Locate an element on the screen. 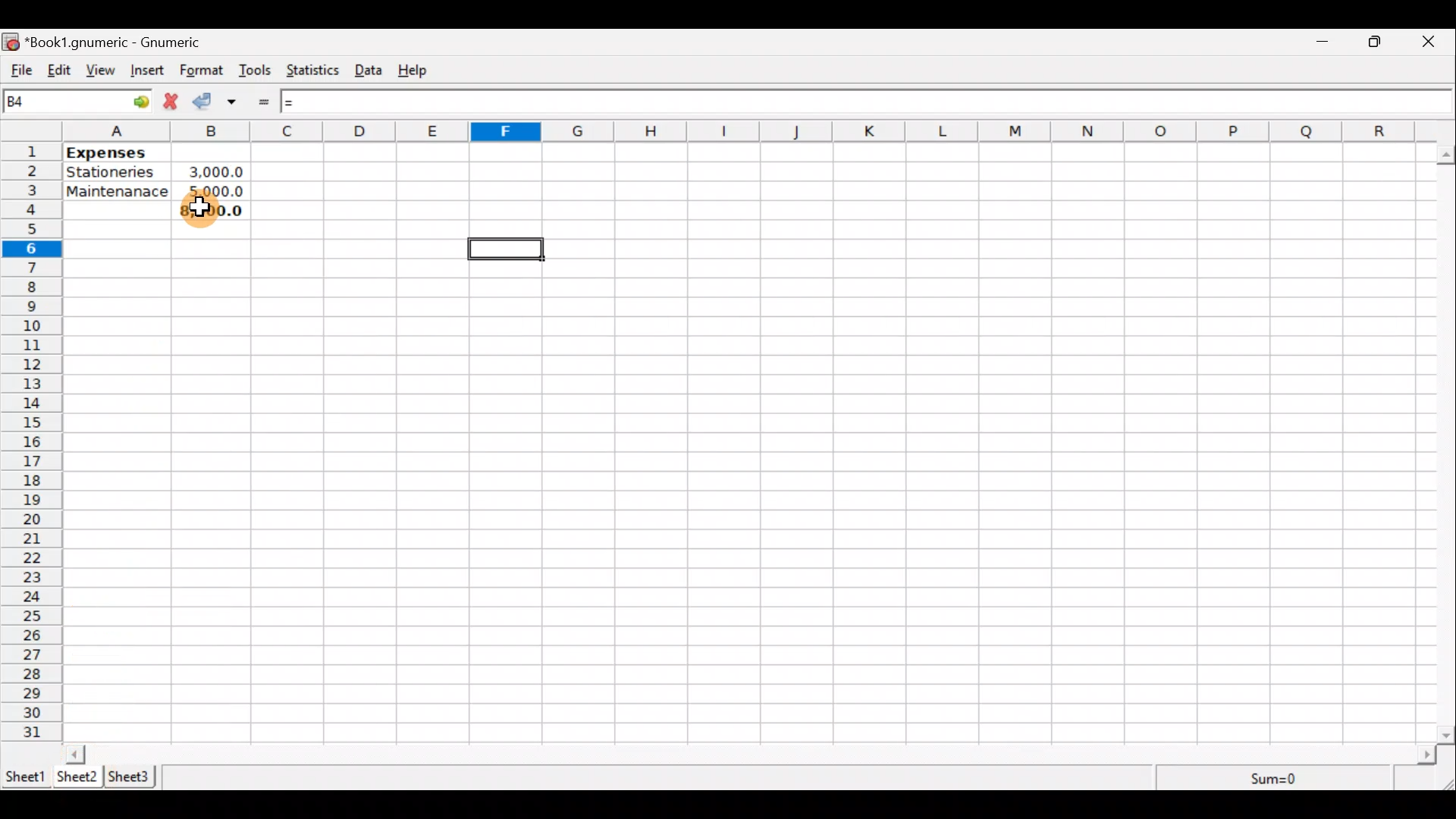 The height and width of the screenshot is (819, 1456). scroll right is located at coordinates (1426, 755).